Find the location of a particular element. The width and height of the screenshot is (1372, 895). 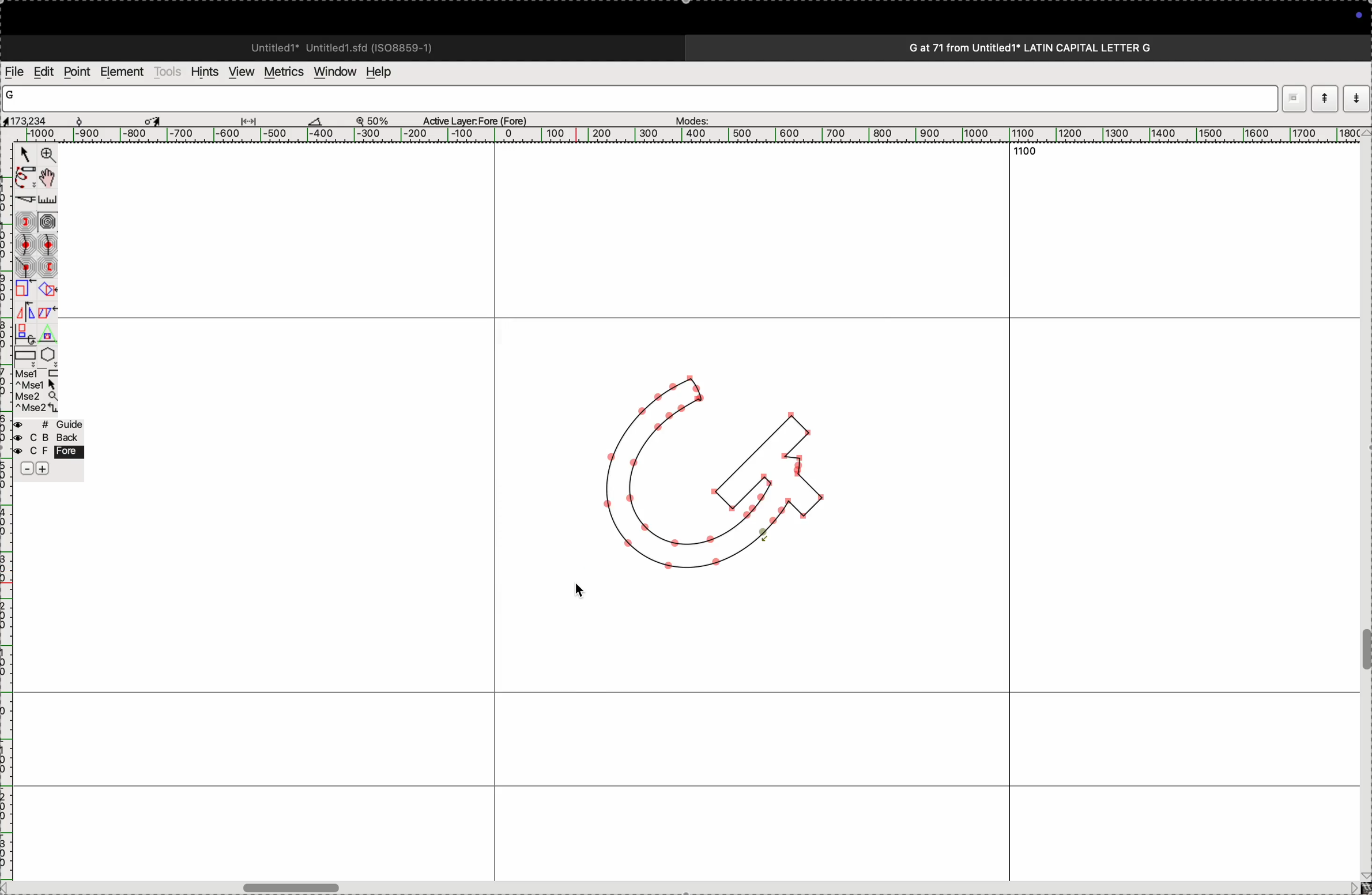

1100 is located at coordinates (1028, 154).